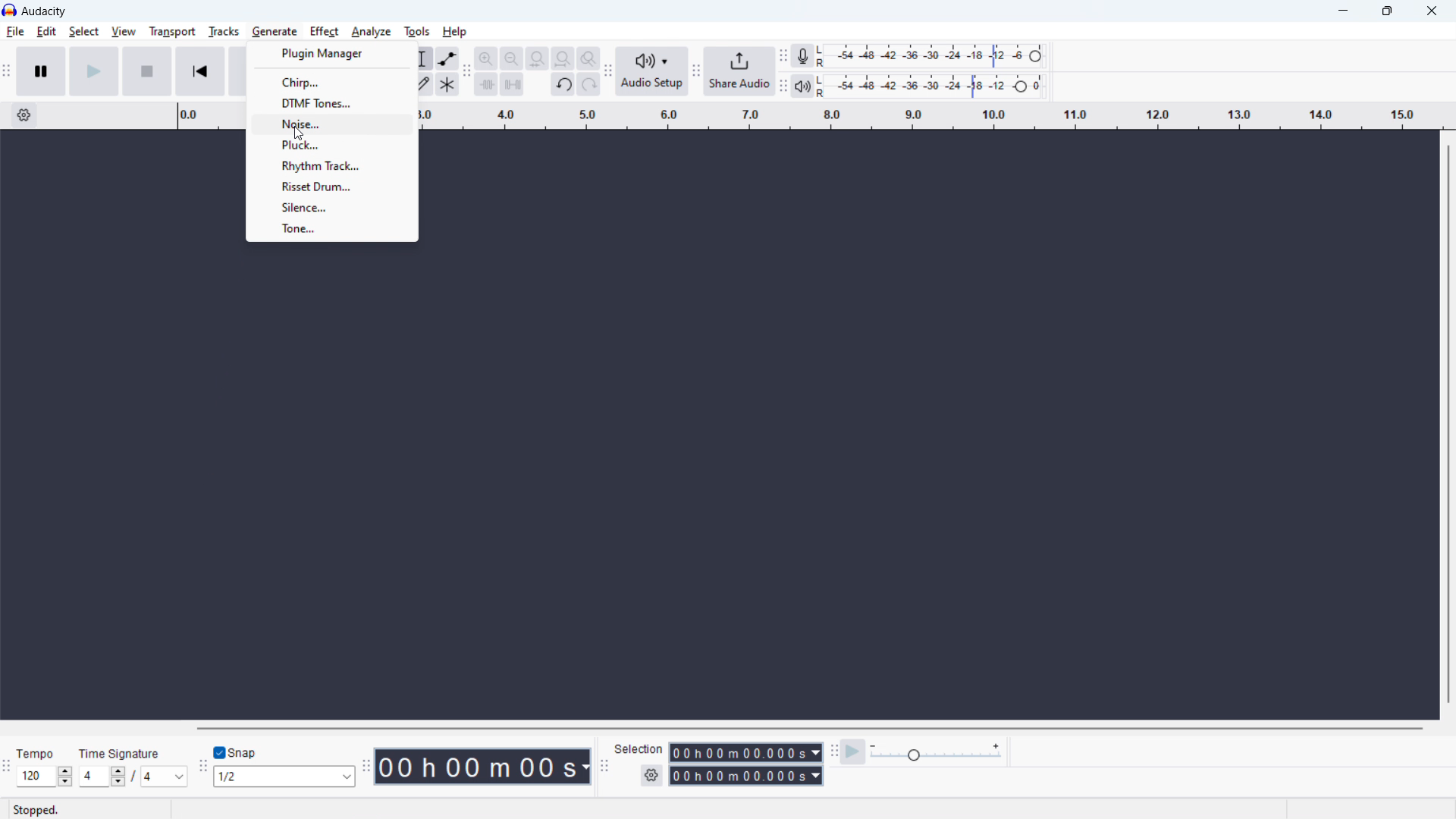 This screenshot has height=819, width=1456. Describe the element at coordinates (563, 58) in the screenshot. I see `fit project to width` at that location.